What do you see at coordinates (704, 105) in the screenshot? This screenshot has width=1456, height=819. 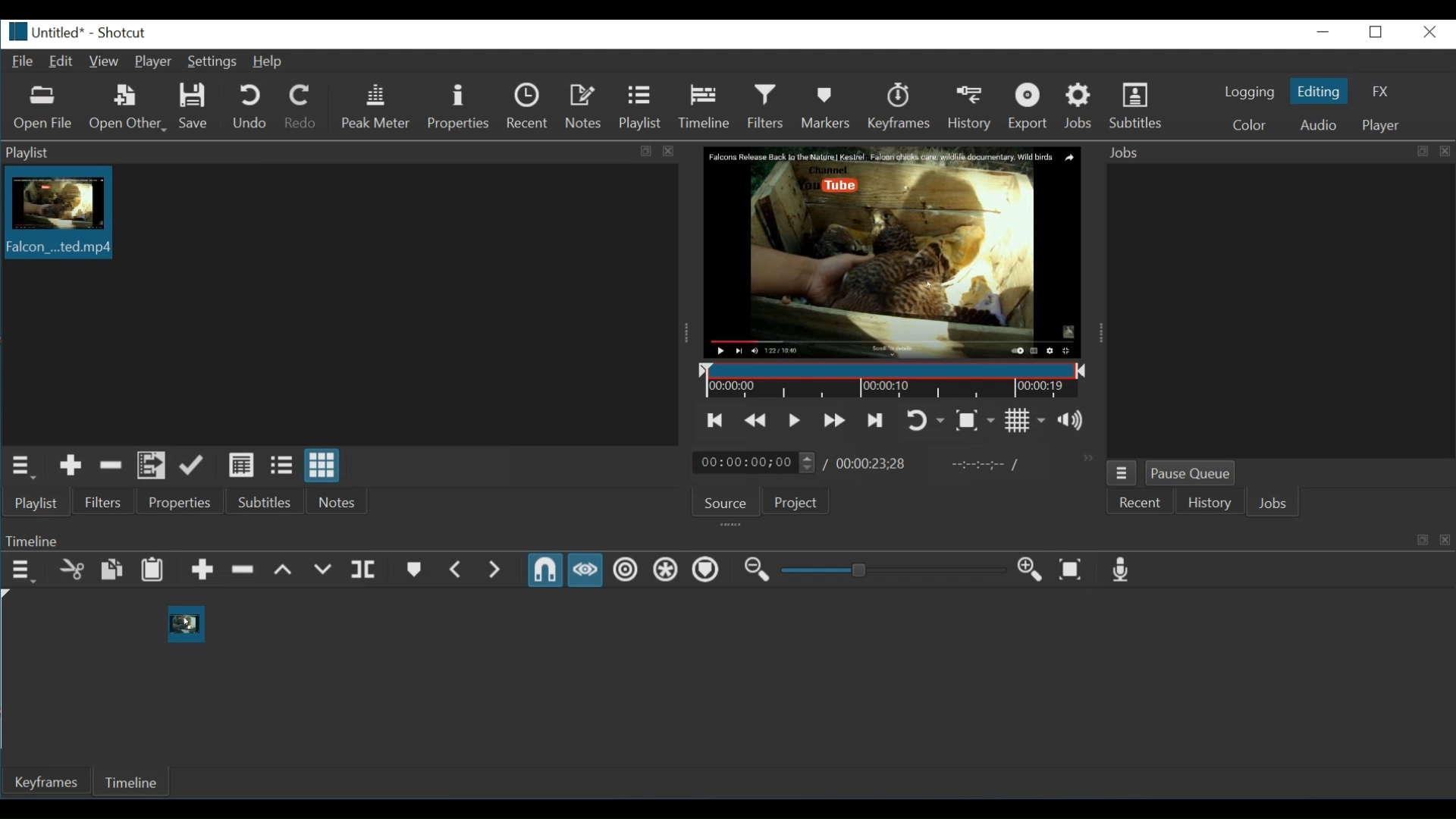 I see `Timeline` at bounding box center [704, 105].